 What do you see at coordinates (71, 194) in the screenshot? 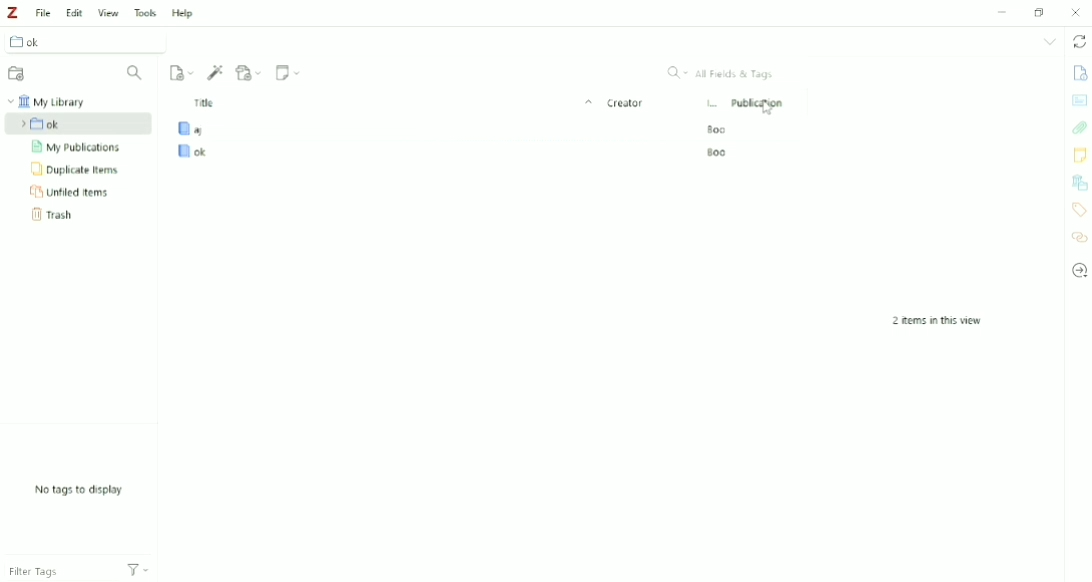
I see `Unfiled Items` at bounding box center [71, 194].